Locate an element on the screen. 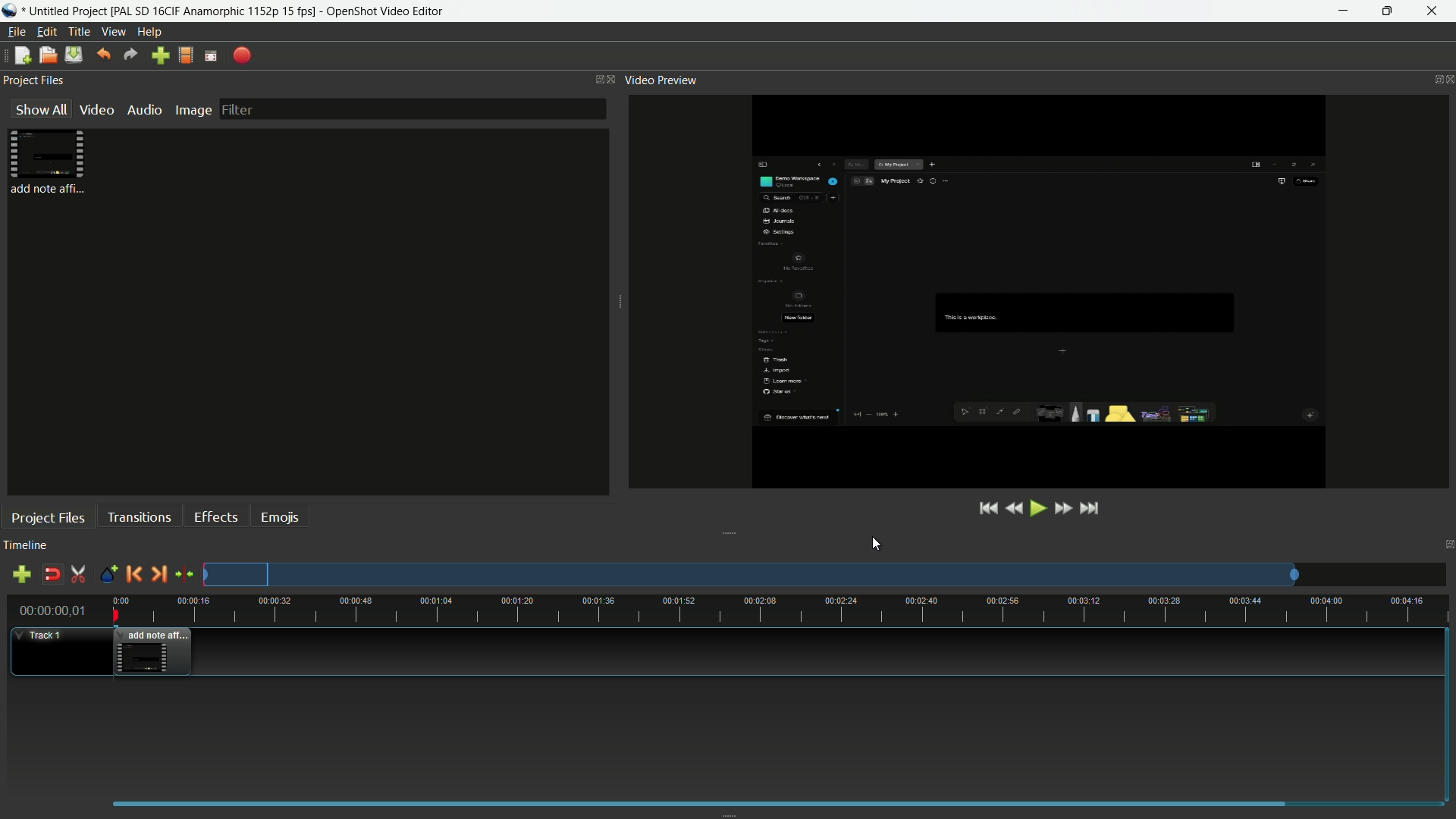  video in timeline is located at coordinates (153, 654).